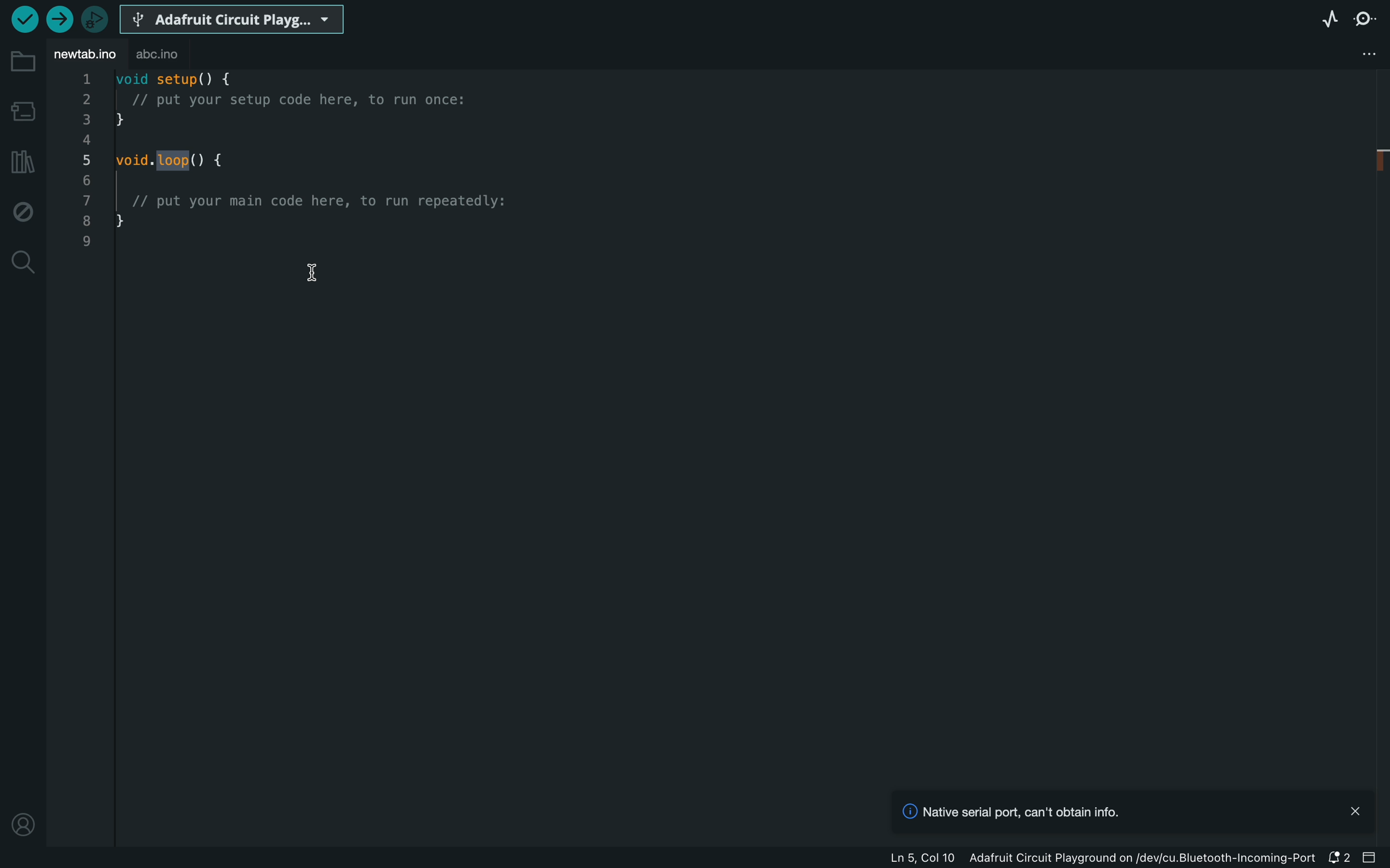  What do you see at coordinates (231, 18) in the screenshot?
I see `Adafruit Circuit Playg...` at bounding box center [231, 18].